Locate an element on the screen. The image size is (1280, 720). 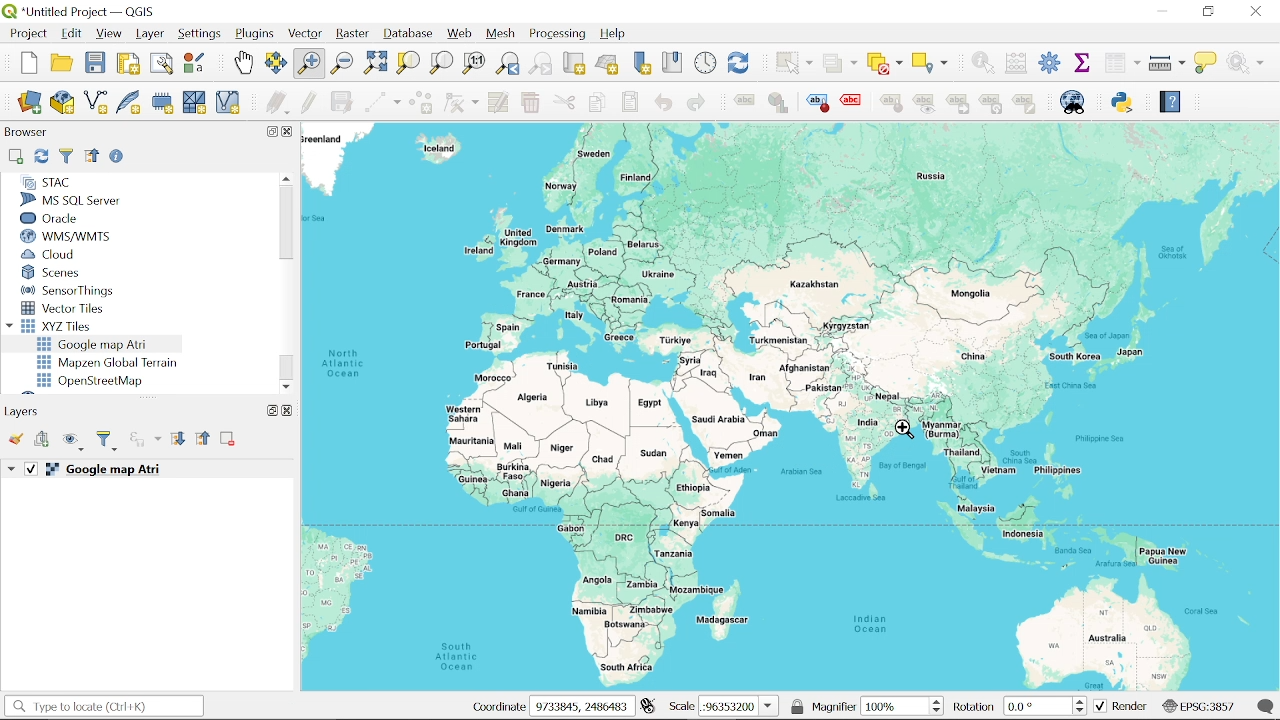
Open the layer styling panel is located at coordinates (18, 440).